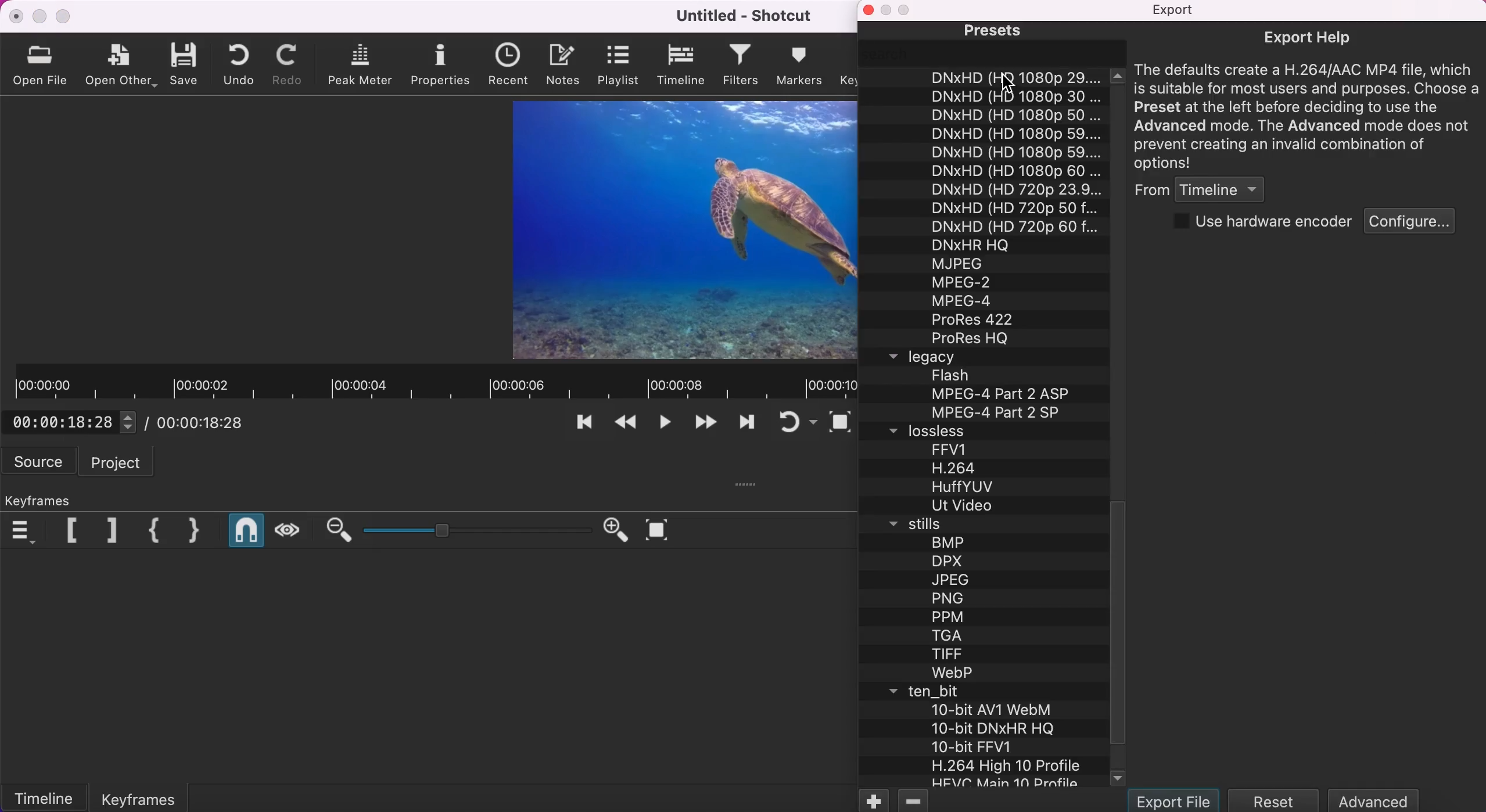 The image size is (1486, 812). I want to click on cursor, so click(1012, 86).